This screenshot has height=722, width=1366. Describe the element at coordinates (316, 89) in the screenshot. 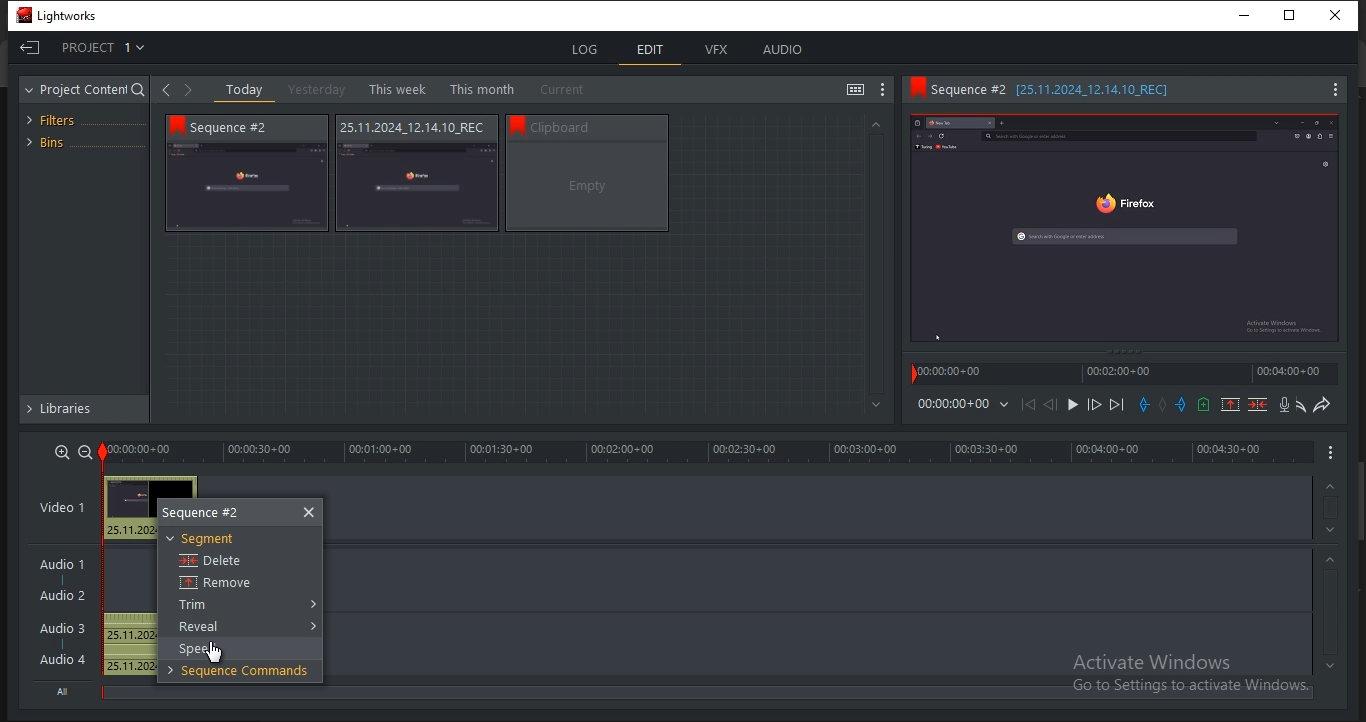

I see `yesterday` at that location.